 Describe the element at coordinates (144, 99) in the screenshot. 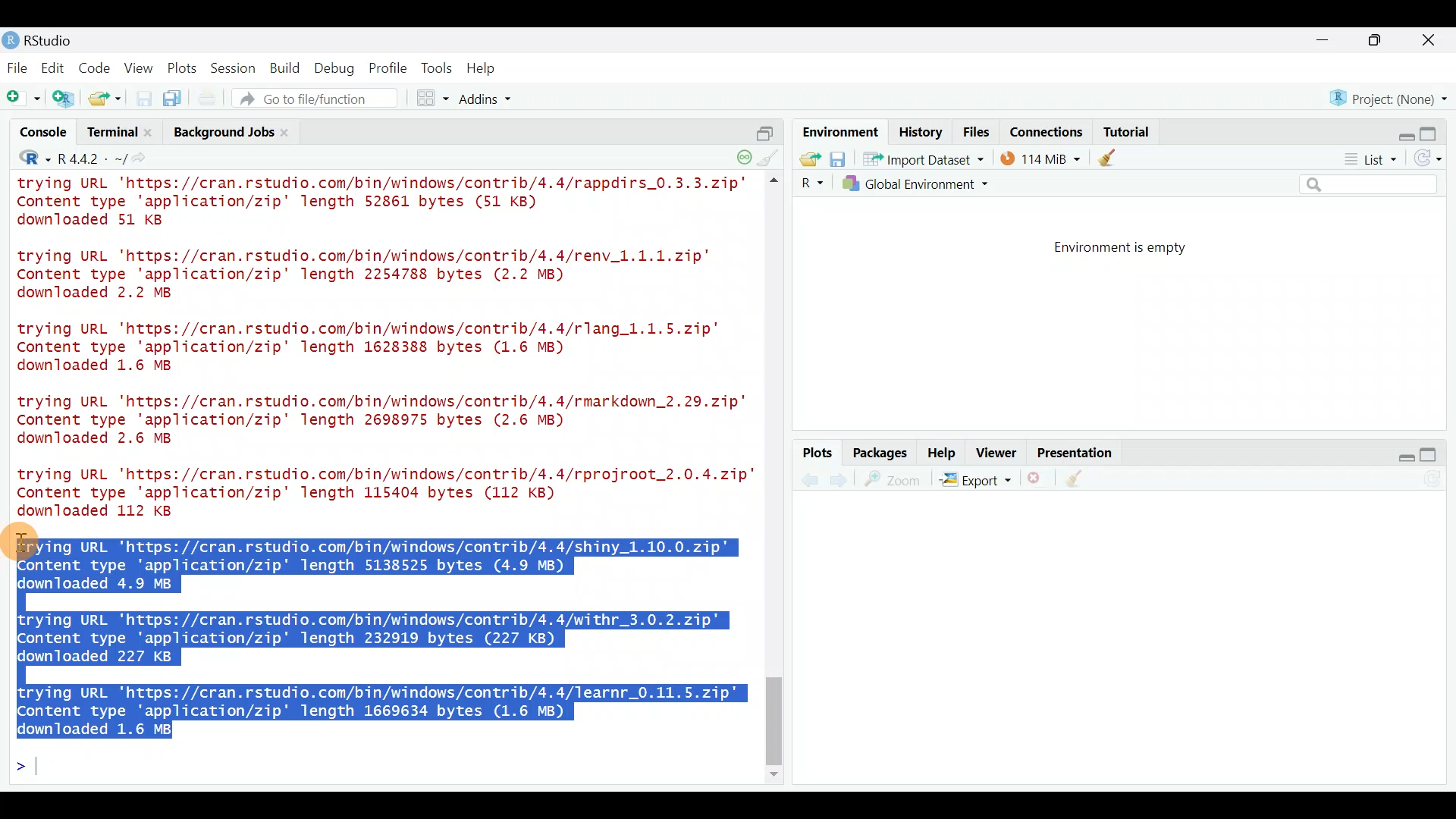

I see `Save current document` at that location.